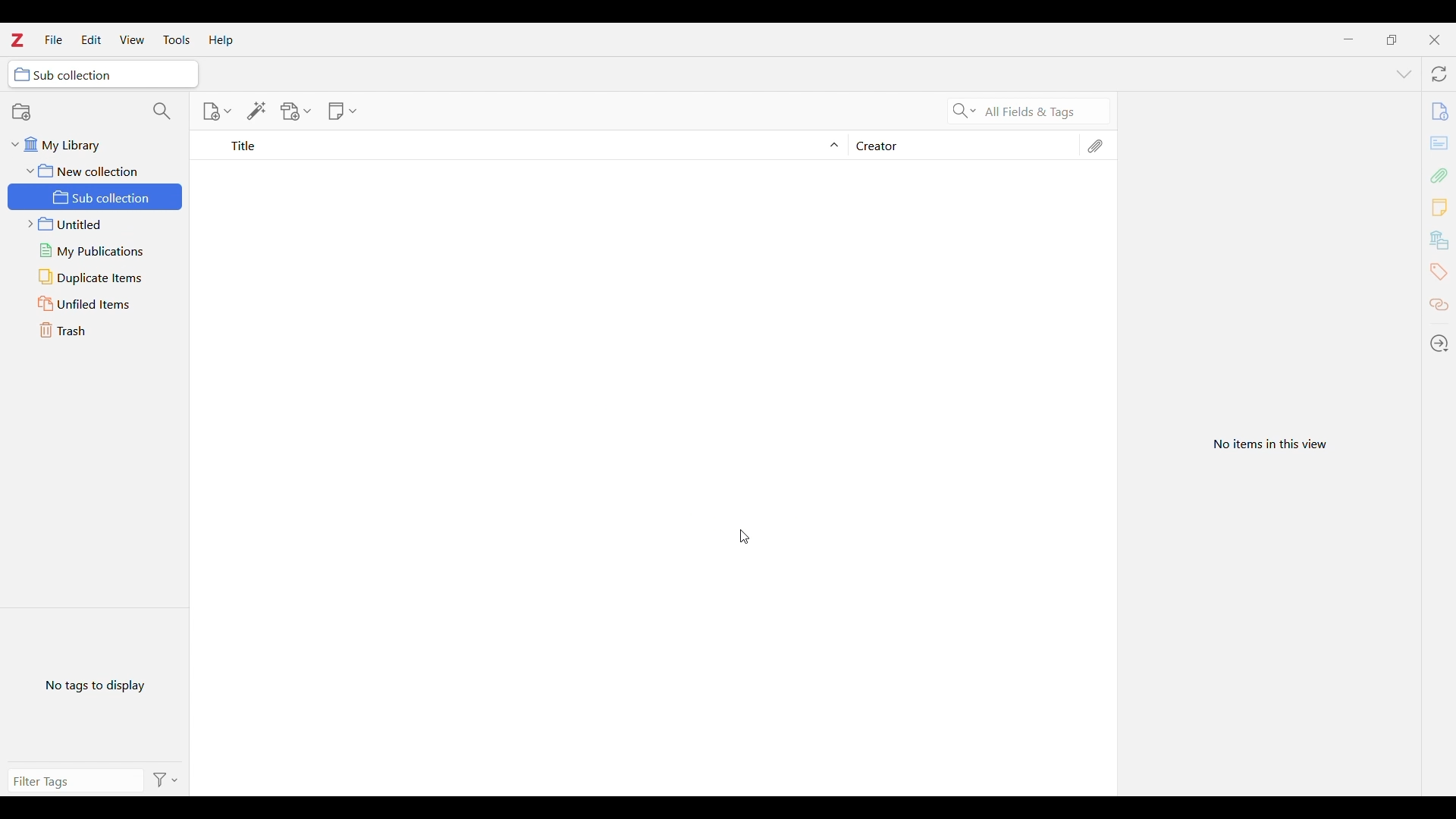 The image size is (1456, 819). Describe the element at coordinates (1404, 75) in the screenshot. I see `List all tabs` at that location.